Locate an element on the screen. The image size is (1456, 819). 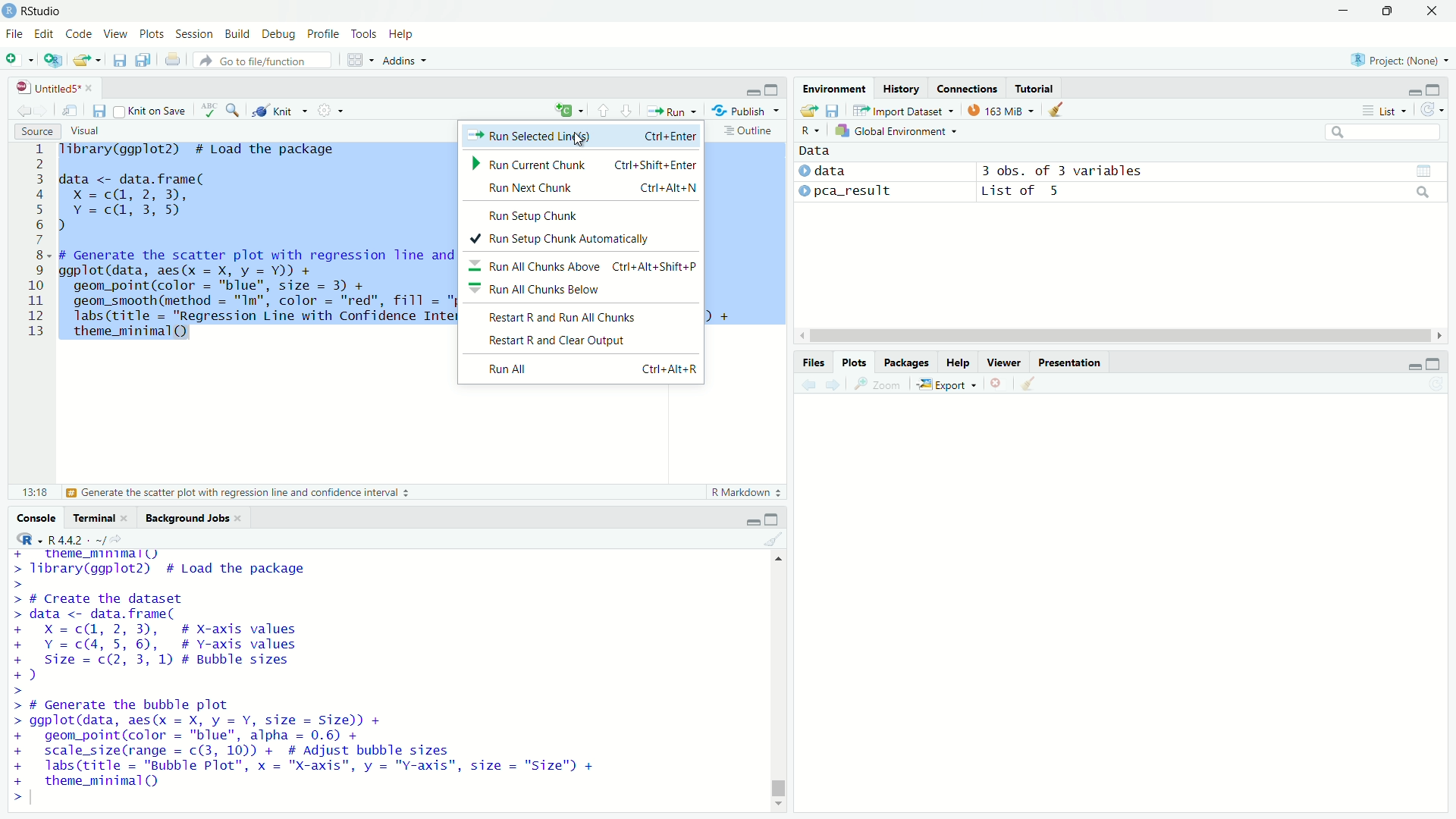
Knit on Save is located at coordinates (151, 110).